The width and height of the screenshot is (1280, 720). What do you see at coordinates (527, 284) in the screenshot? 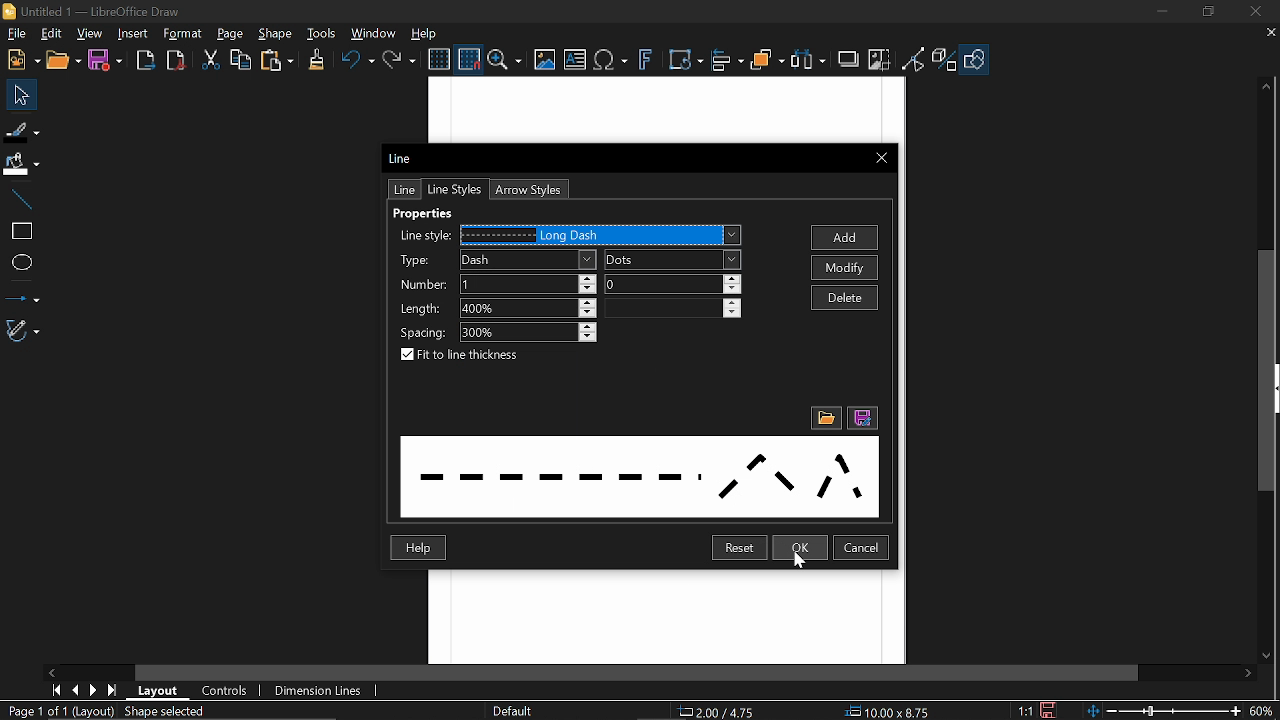
I see `Number` at bounding box center [527, 284].